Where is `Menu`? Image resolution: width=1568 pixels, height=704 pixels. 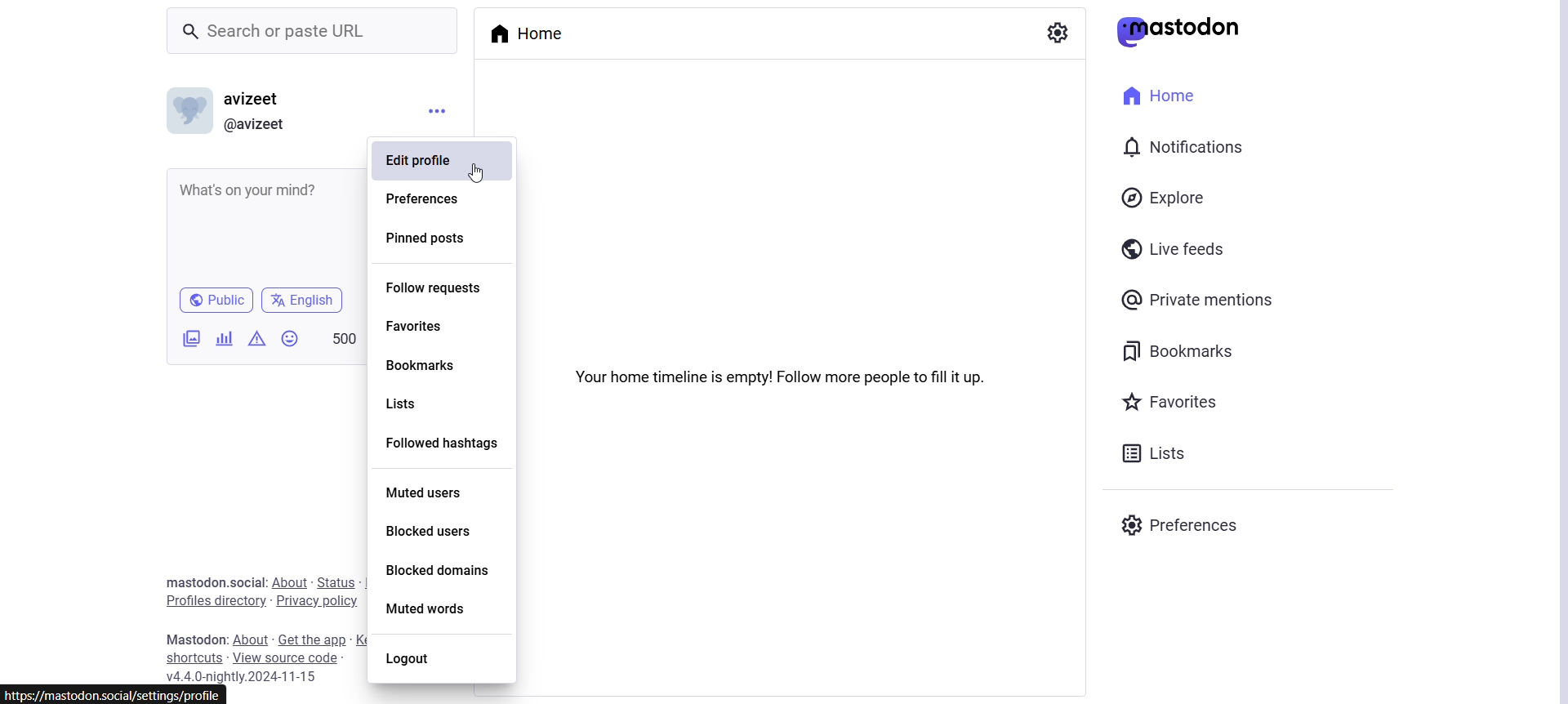 Menu is located at coordinates (439, 112).